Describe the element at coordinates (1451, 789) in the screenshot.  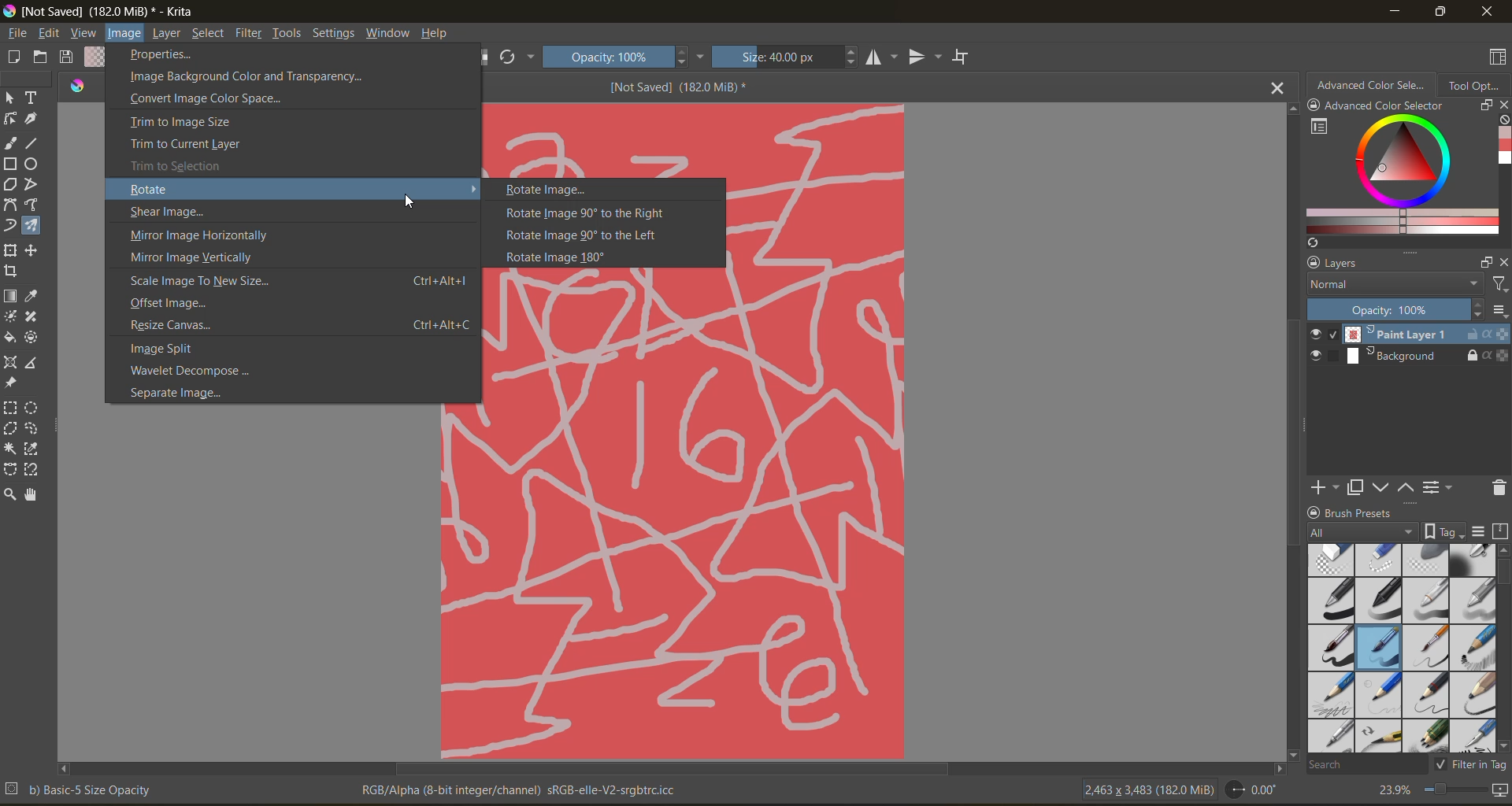
I see `zoom ` at that location.